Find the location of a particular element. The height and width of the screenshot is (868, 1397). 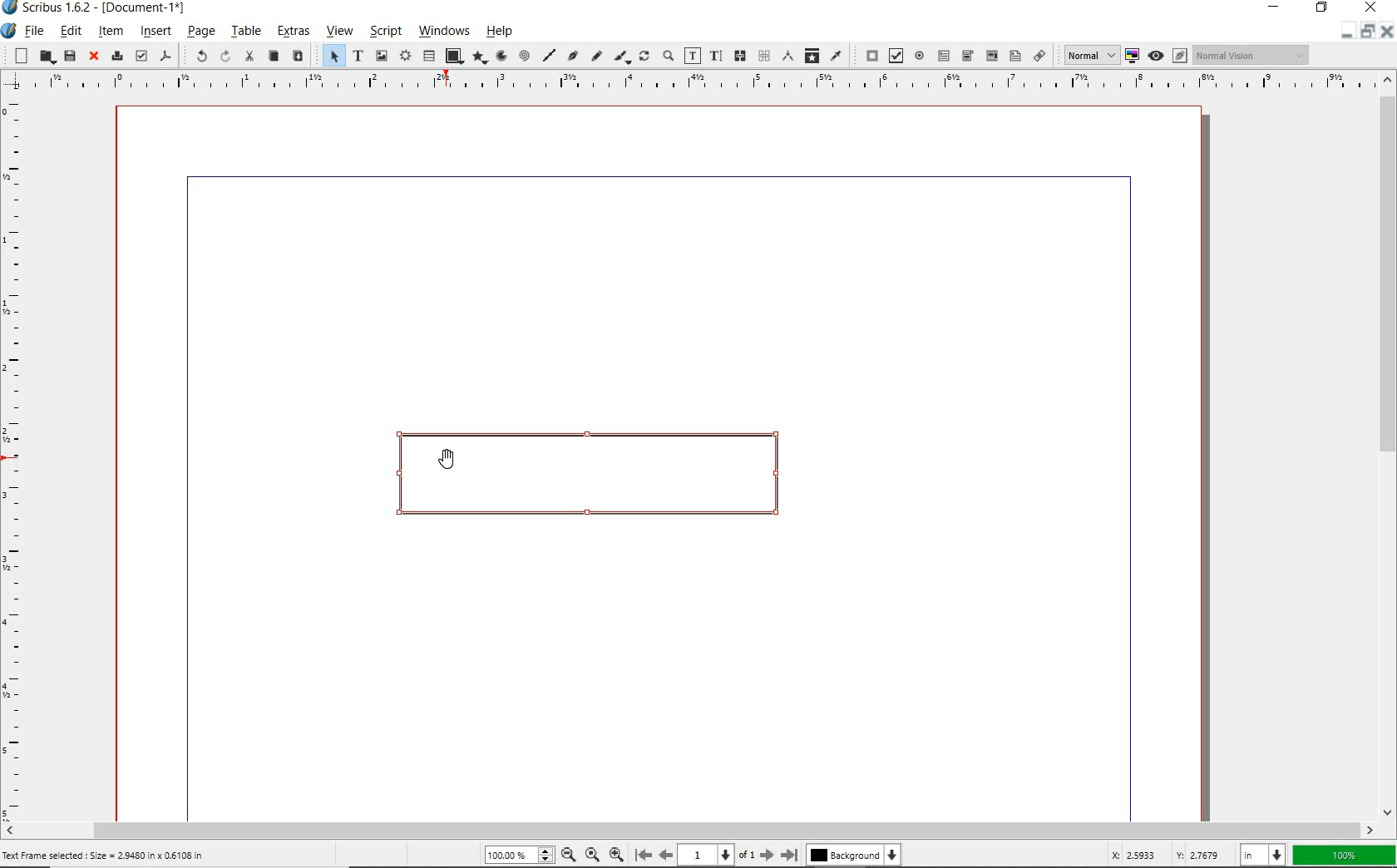

windows is located at coordinates (445, 32).